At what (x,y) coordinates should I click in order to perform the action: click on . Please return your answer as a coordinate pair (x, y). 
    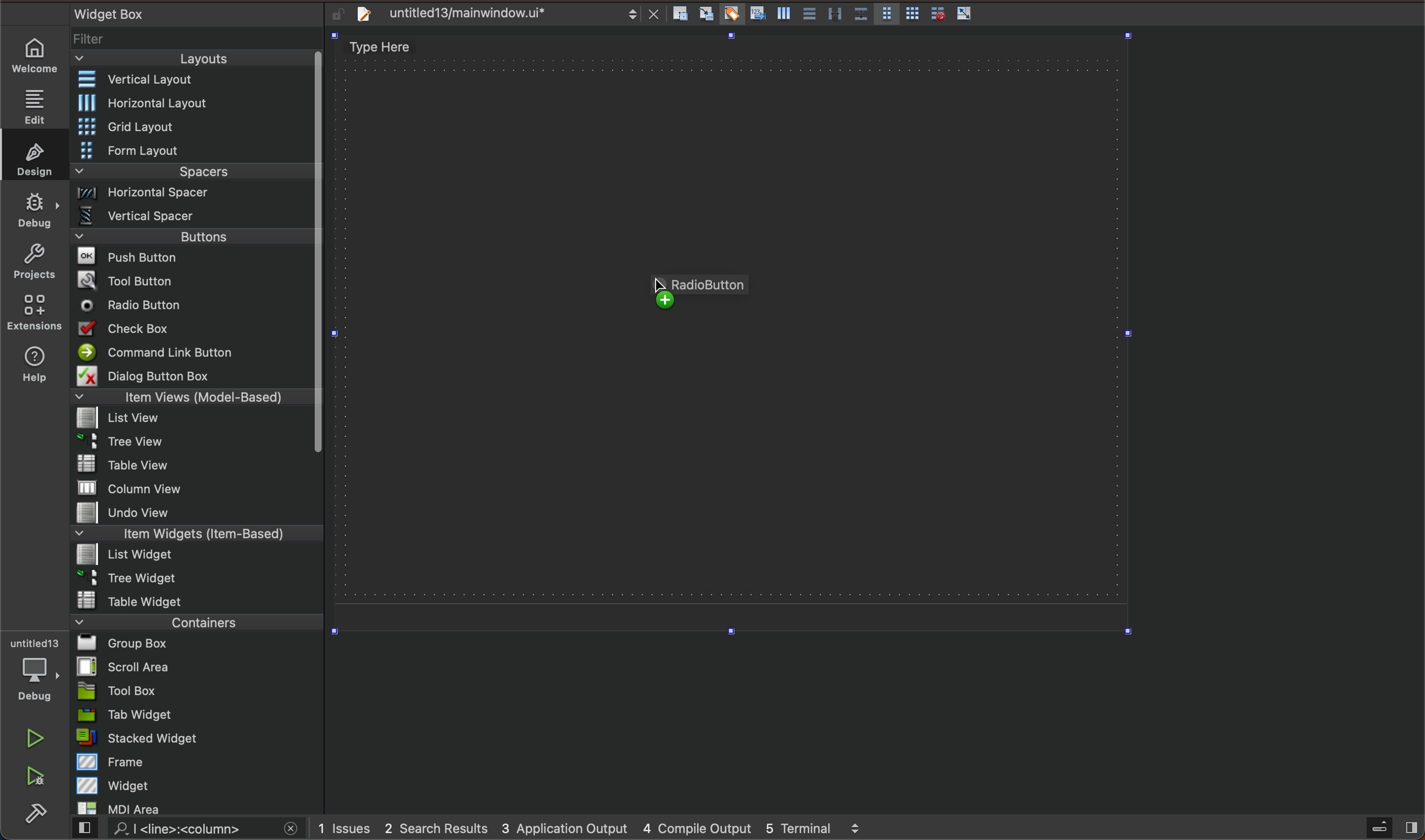
    Looking at the image, I should click on (194, 128).